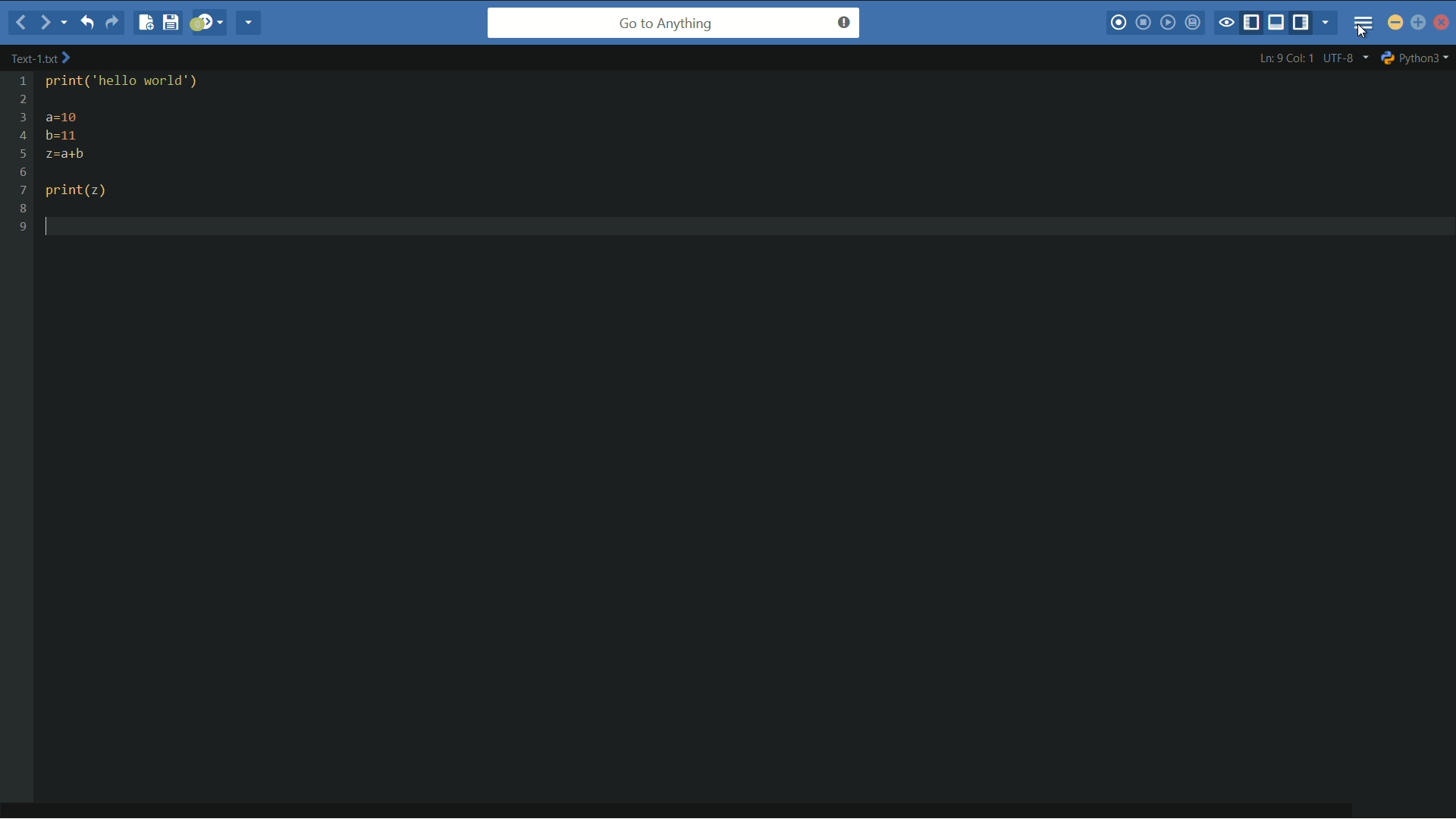  I want to click on share current file, so click(251, 24).